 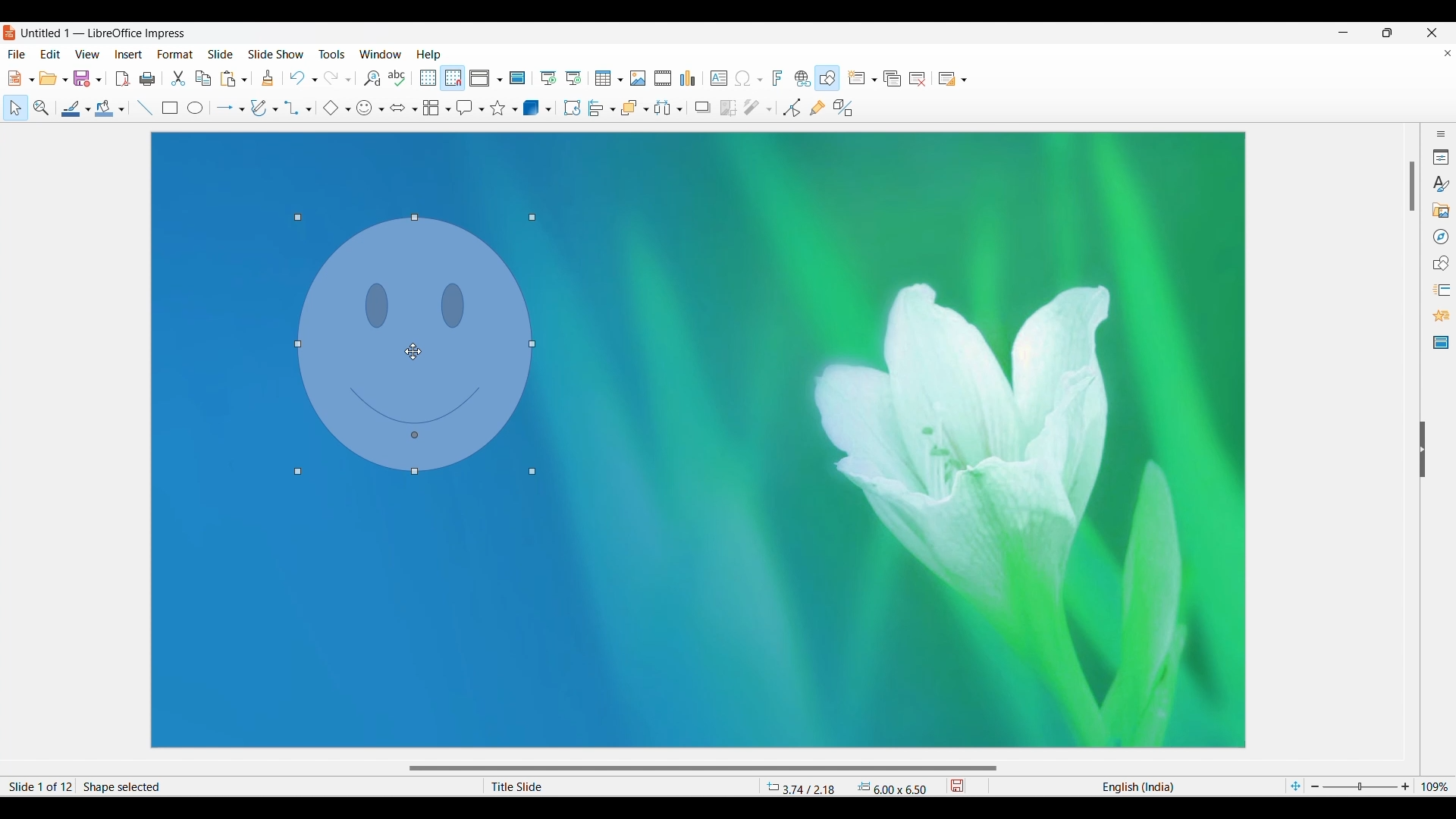 What do you see at coordinates (1422, 450) in the screenshot?
I see `Hide right sidebar` at bounding box center [1422, 450].